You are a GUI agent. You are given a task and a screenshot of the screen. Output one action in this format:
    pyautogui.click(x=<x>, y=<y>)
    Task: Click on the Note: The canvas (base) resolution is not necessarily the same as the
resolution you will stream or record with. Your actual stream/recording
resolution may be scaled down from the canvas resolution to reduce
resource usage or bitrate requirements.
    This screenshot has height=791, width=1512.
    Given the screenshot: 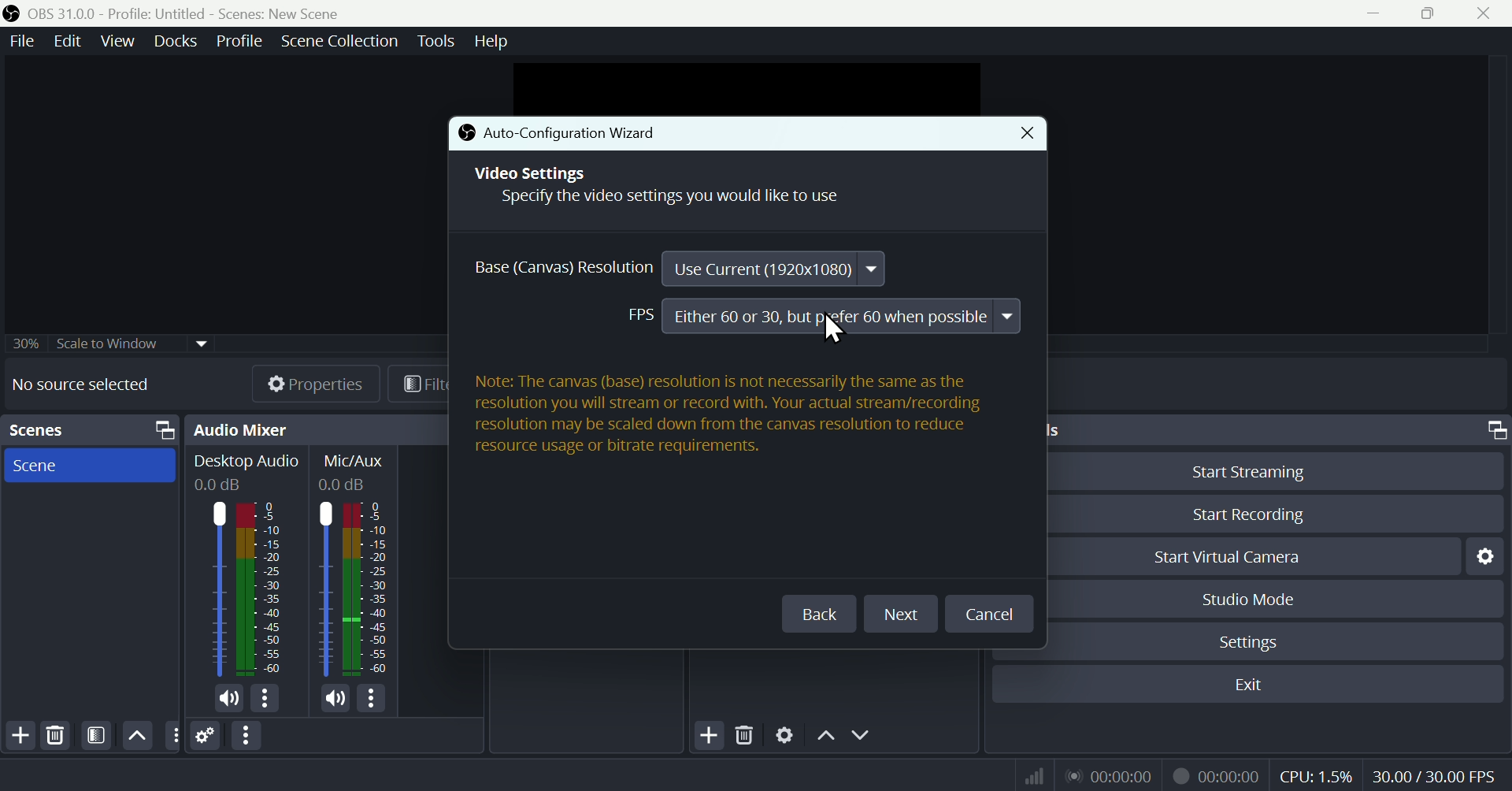 What is the action you would take?
    pyautogui.click(x=730, y=418)
    